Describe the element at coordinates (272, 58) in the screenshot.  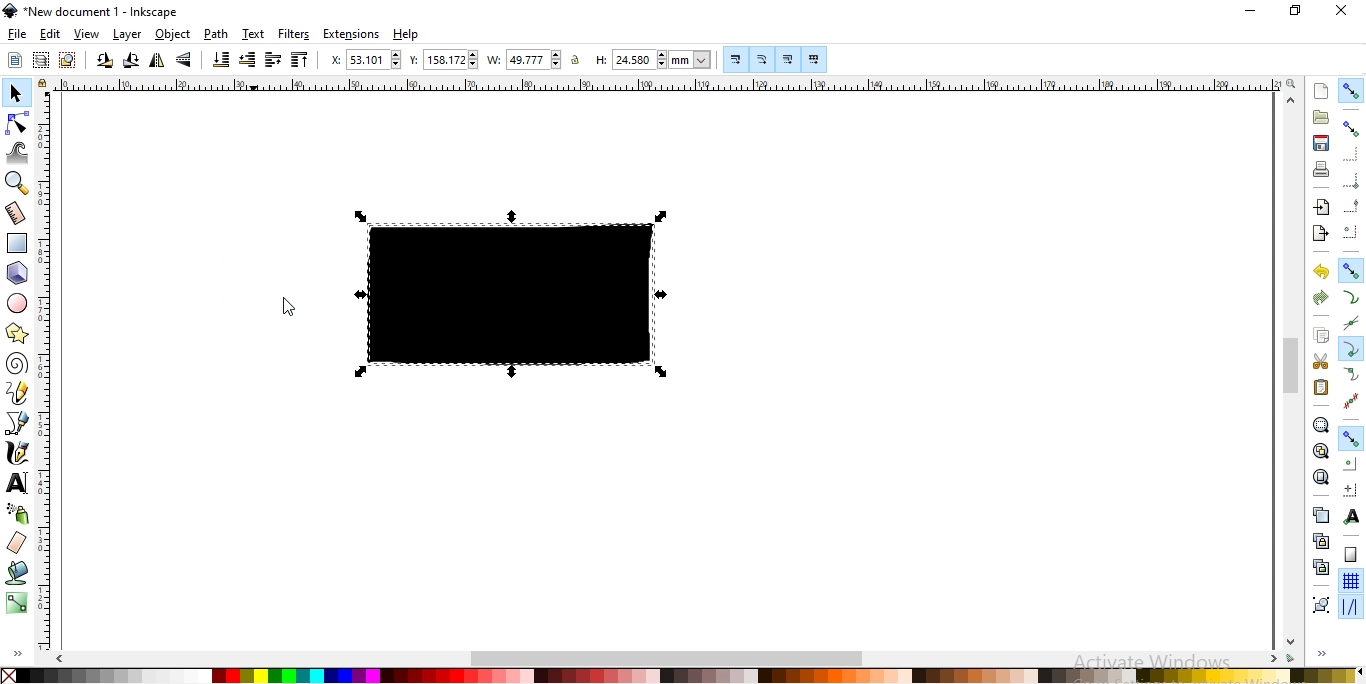
I see `raise selection one step` at that location.